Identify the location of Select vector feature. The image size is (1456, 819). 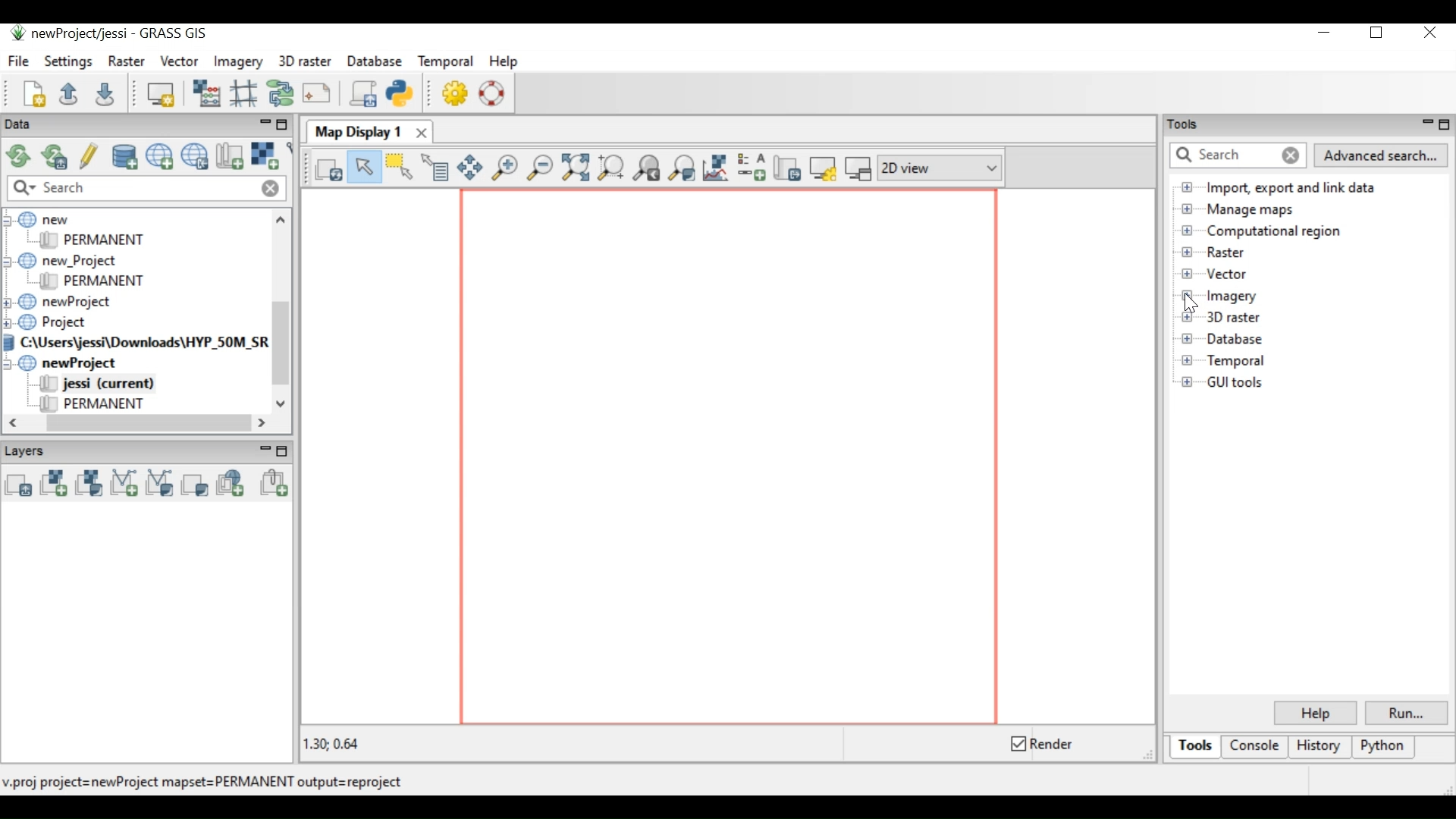
(397, 168).